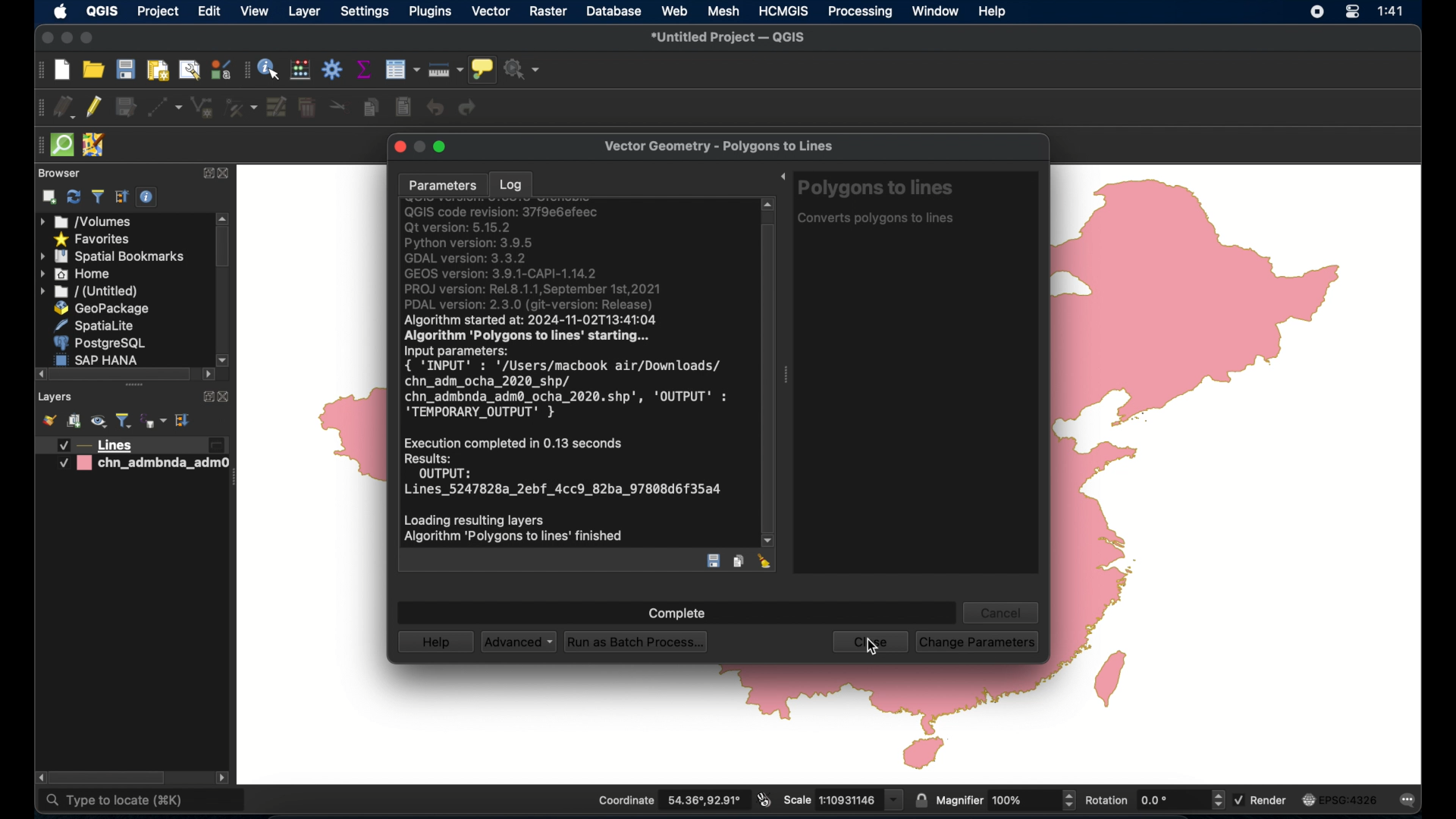 The height and width of the screenshot is (819, 1456). Describe the element at coordinates (46, 39) in the screenshot. I see `close` at that location.